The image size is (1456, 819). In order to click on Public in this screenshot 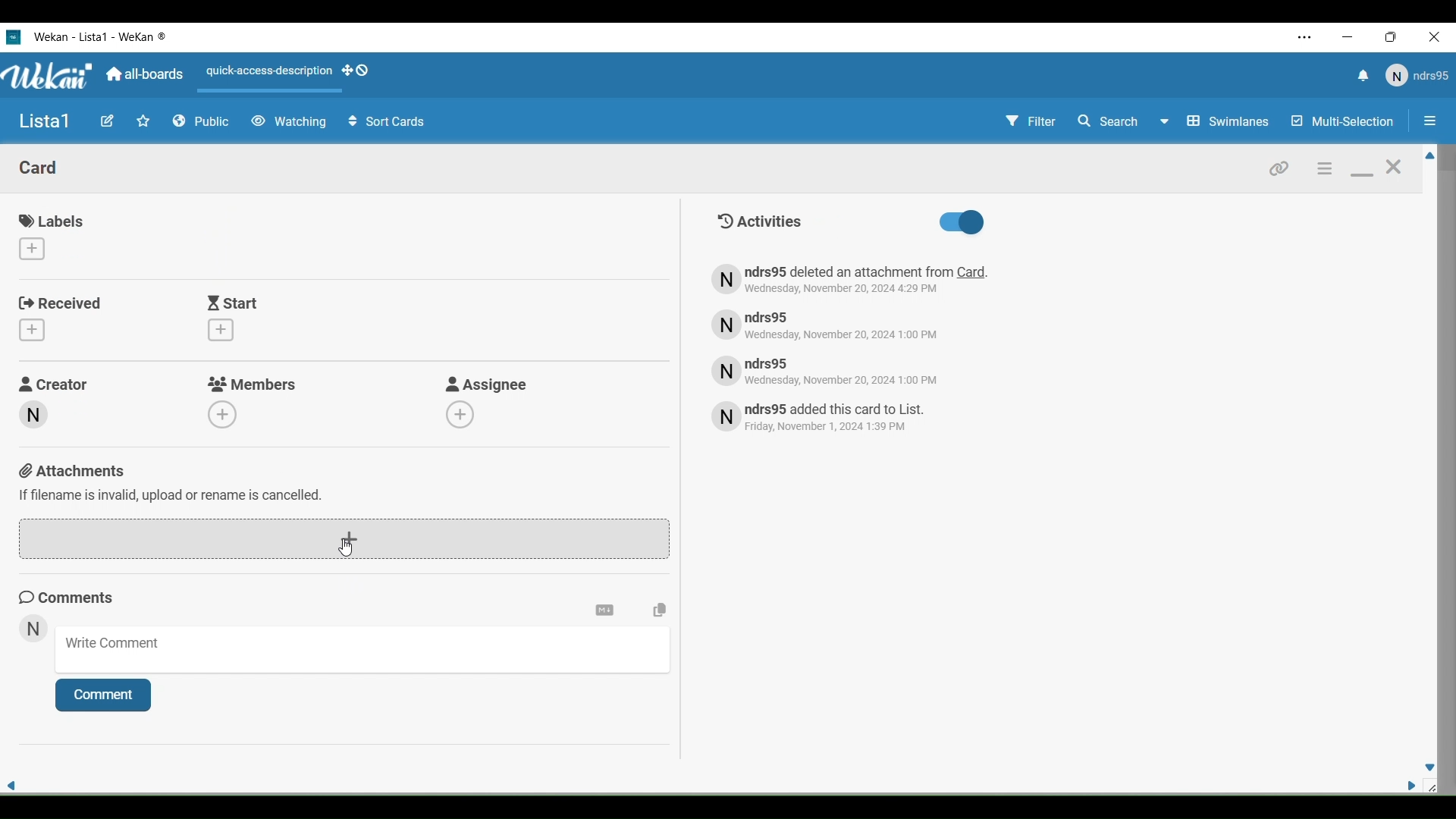, I will do `click(202, 122)`.